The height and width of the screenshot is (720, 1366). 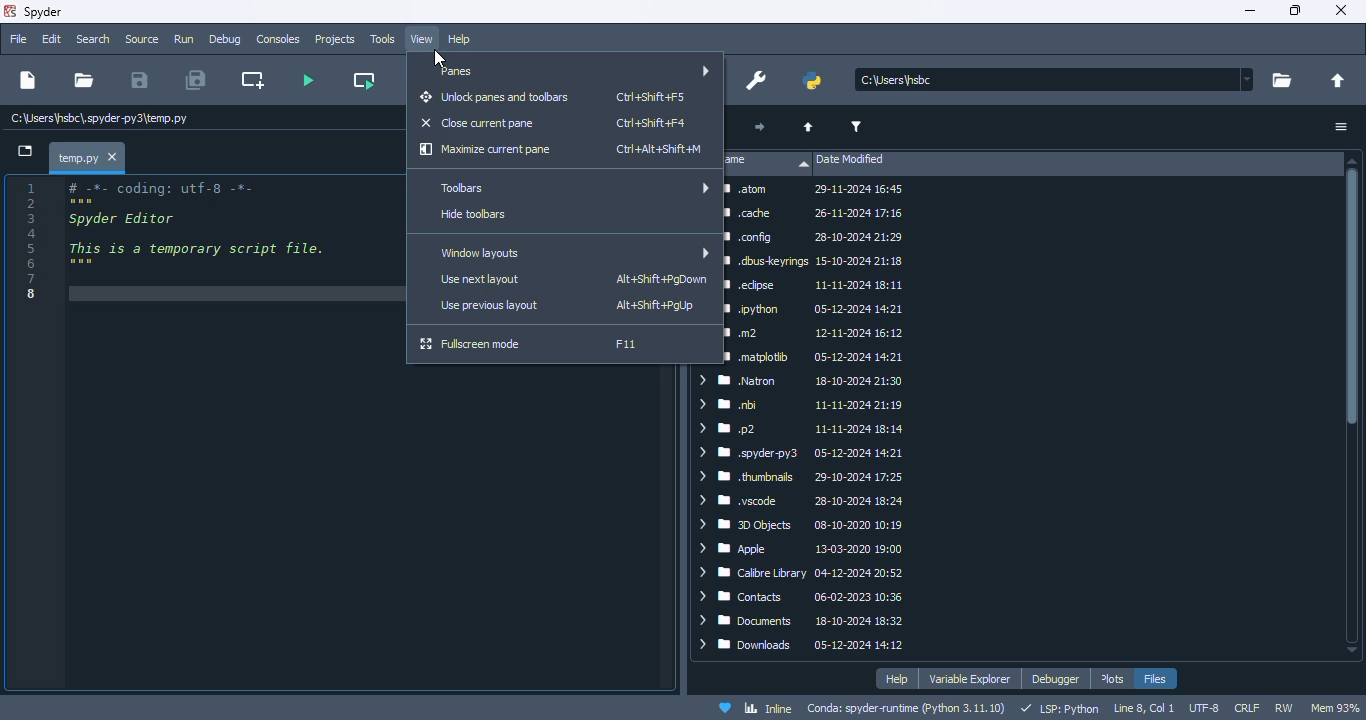 I want to click on .thumbnails, so click(x=806, y=477).